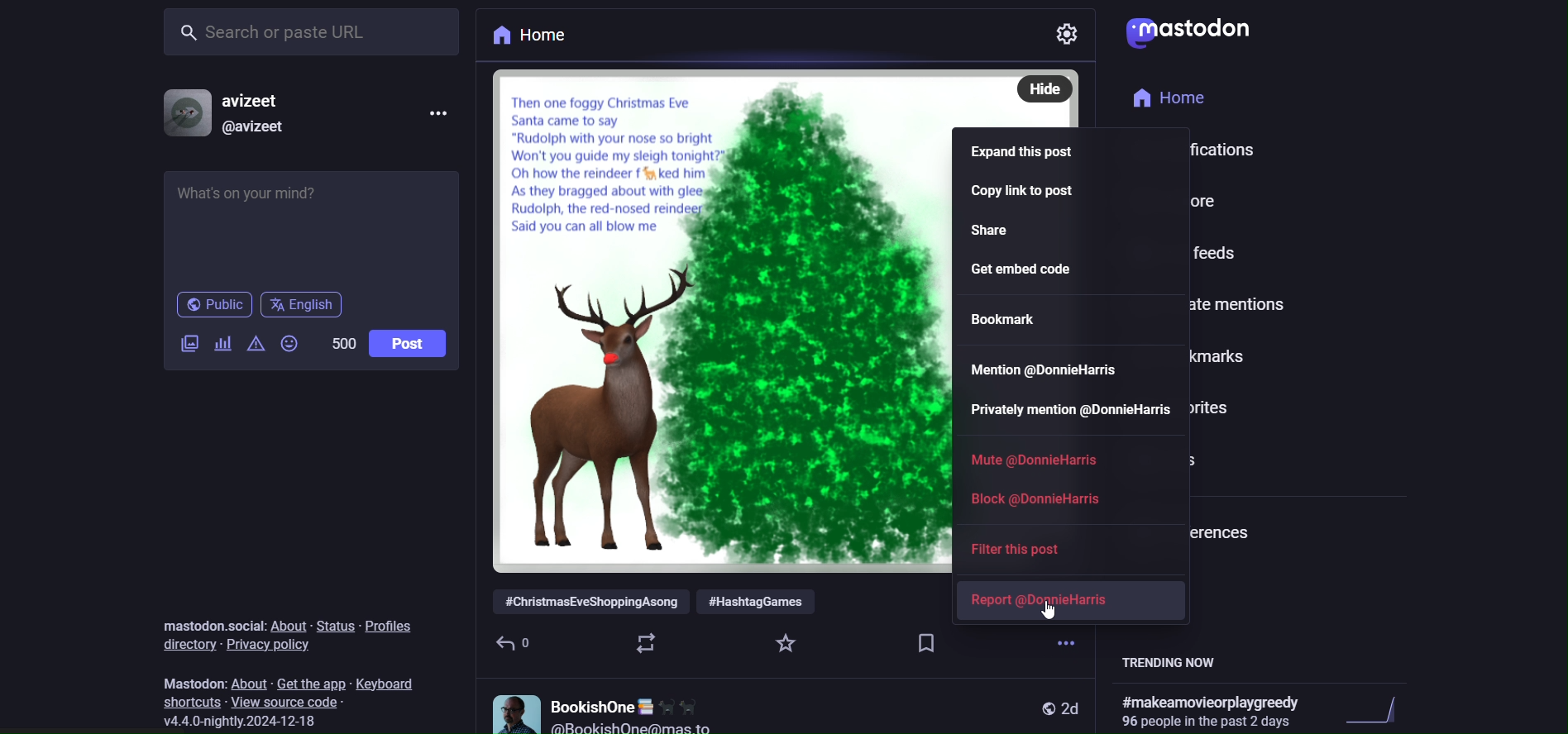 The width and height of the screenshot is (1568, 734). I want to click on BookishOne, so click(631, 702).